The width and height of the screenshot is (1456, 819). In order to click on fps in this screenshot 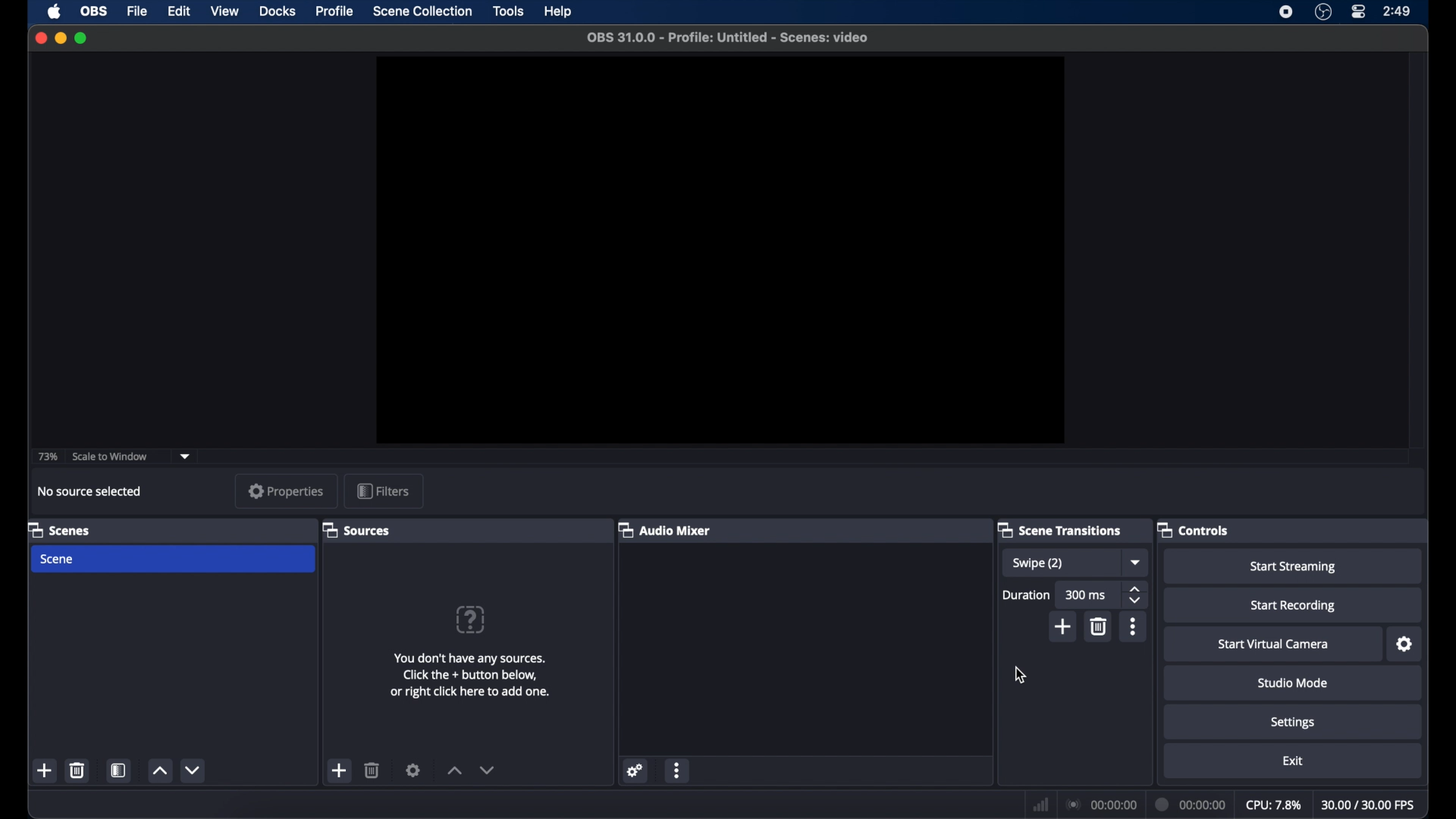, I will do `click(1370, 805)`.